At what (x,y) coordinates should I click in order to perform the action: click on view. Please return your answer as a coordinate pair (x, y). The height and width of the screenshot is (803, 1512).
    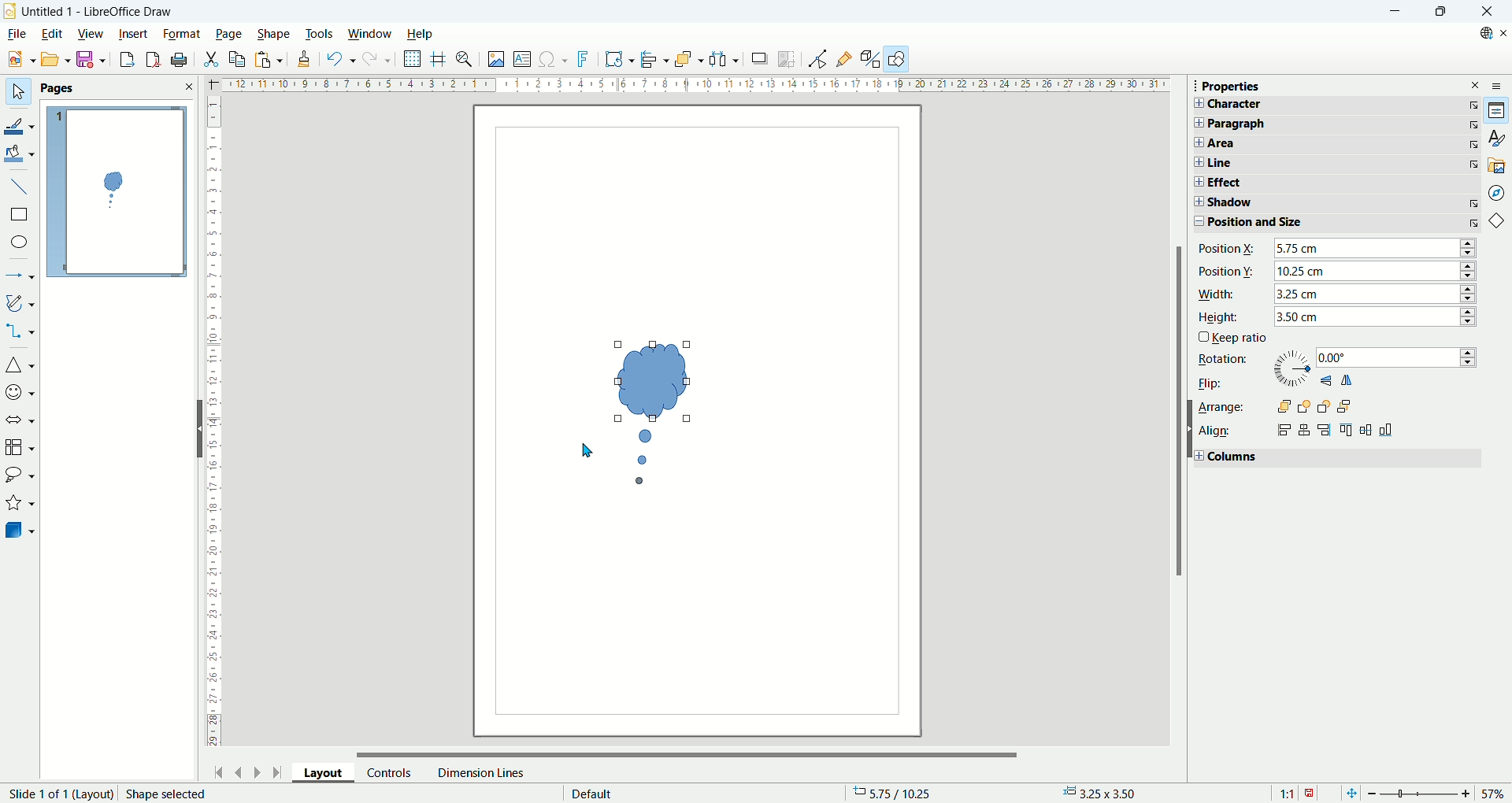
    Looking at the image, I should click on (91, 32).